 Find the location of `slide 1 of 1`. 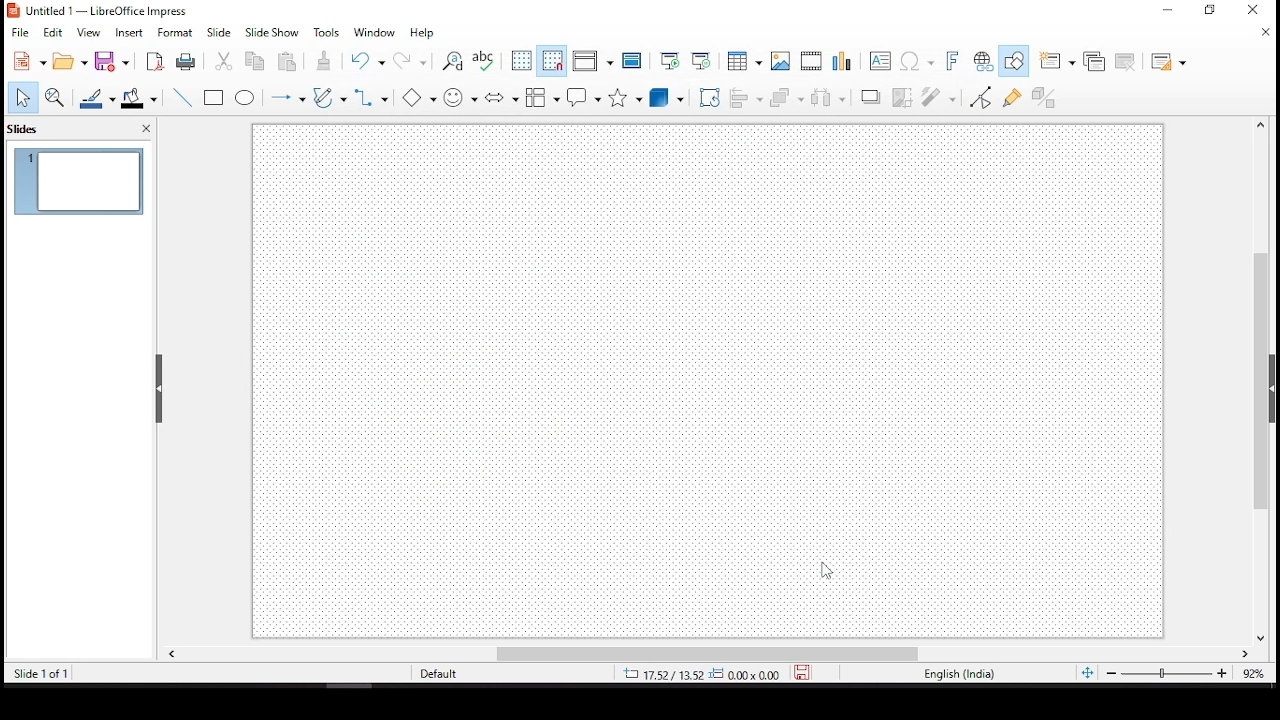

slide 1 of 1 is located at coordinates (45, 673).